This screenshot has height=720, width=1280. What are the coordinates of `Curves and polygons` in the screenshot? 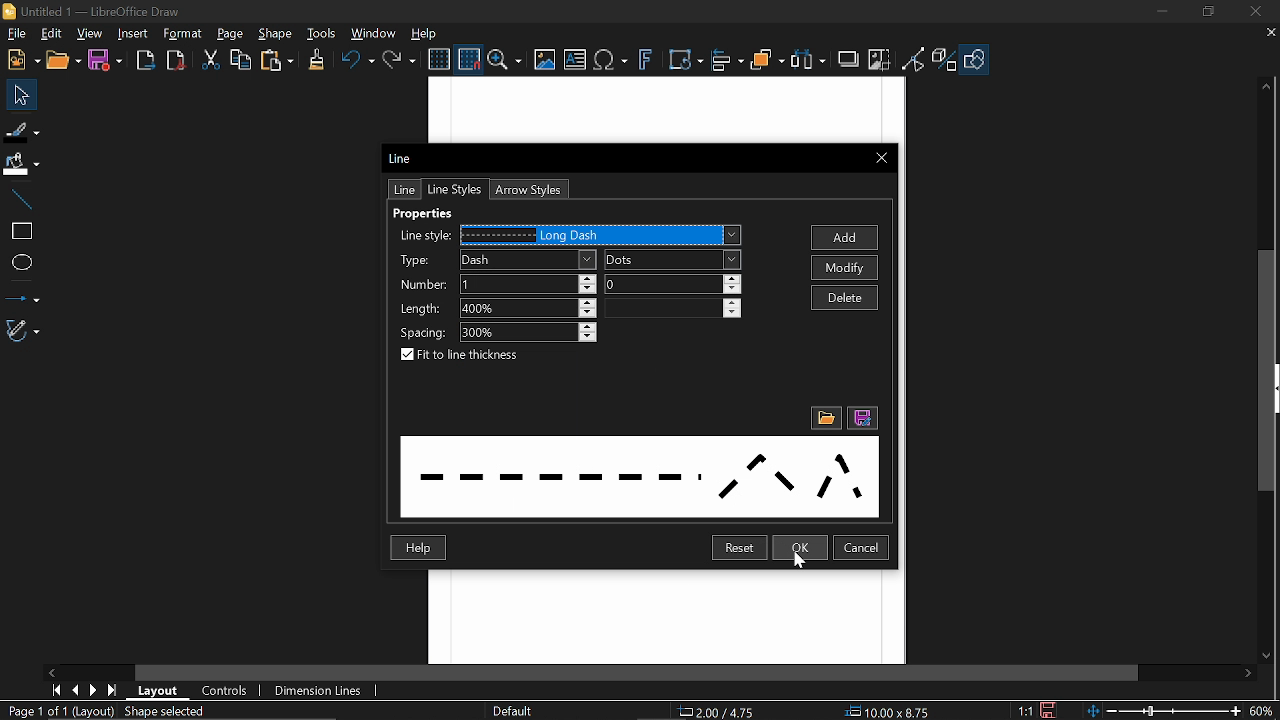 It's located at (23, 331).